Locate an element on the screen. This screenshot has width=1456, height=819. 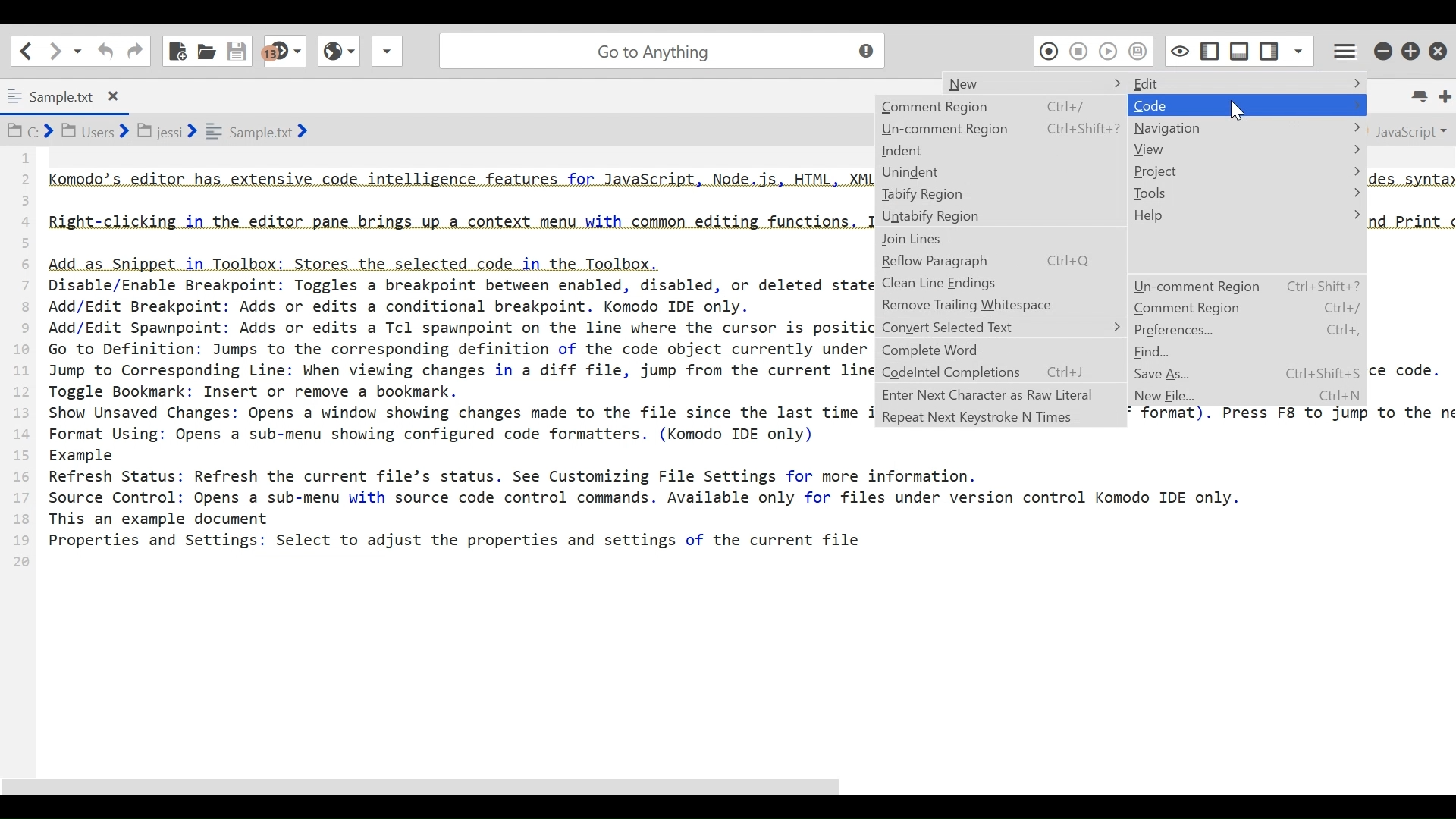
Help is located at coordinates (1245, 215).